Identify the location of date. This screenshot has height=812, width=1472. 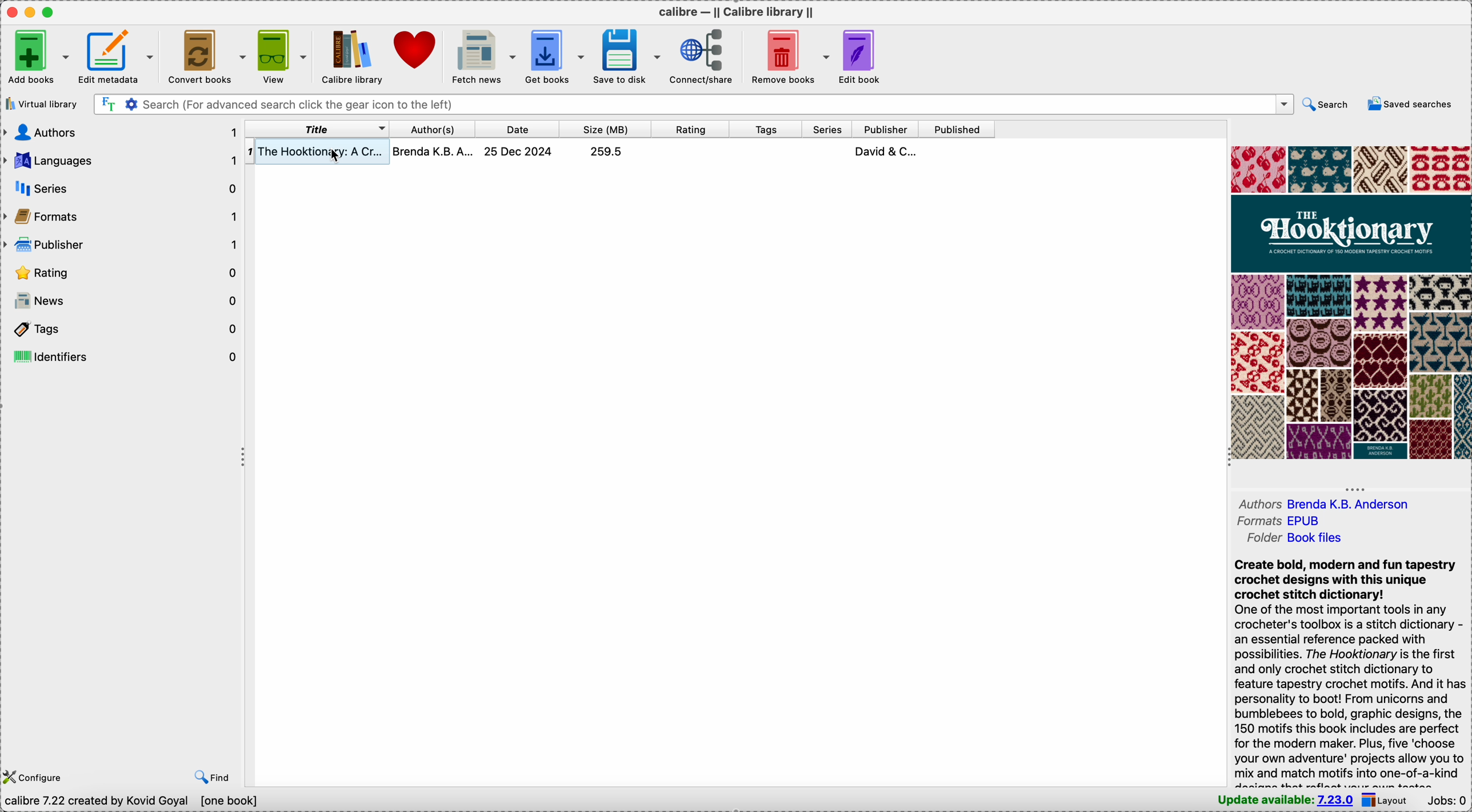
(517, 129).